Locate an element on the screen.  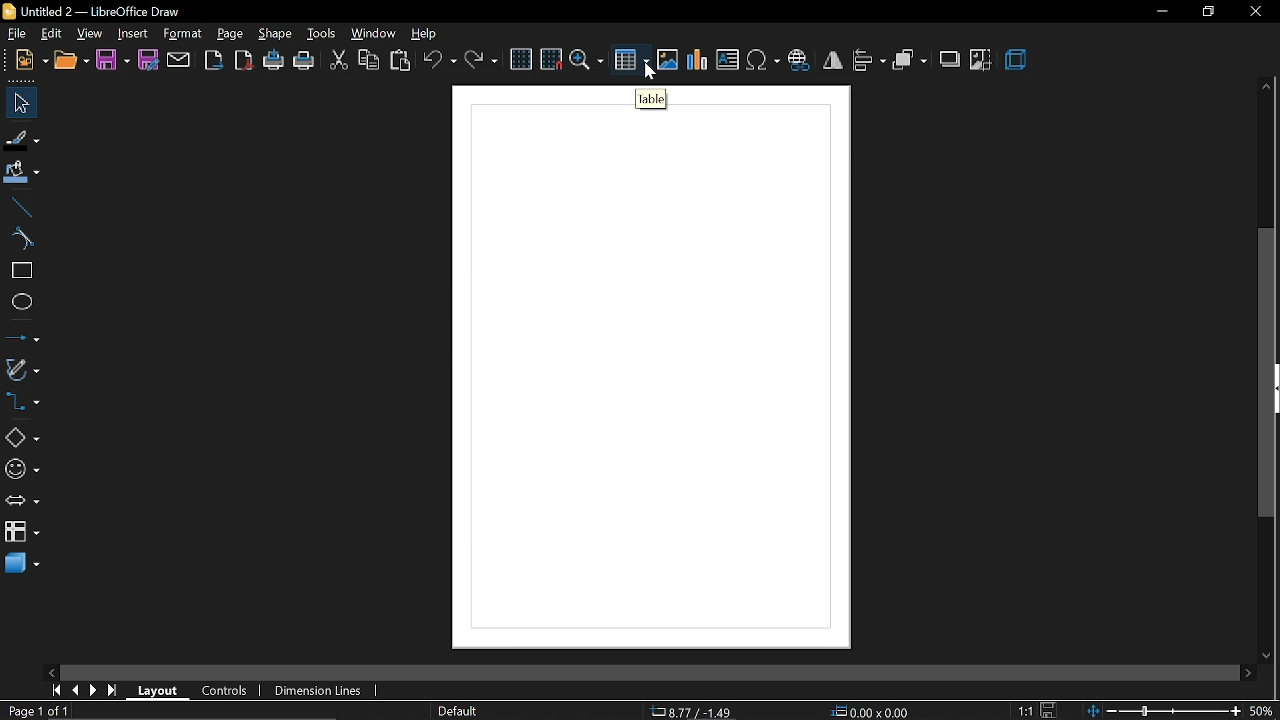
grid is located at coordinates (522, 59).